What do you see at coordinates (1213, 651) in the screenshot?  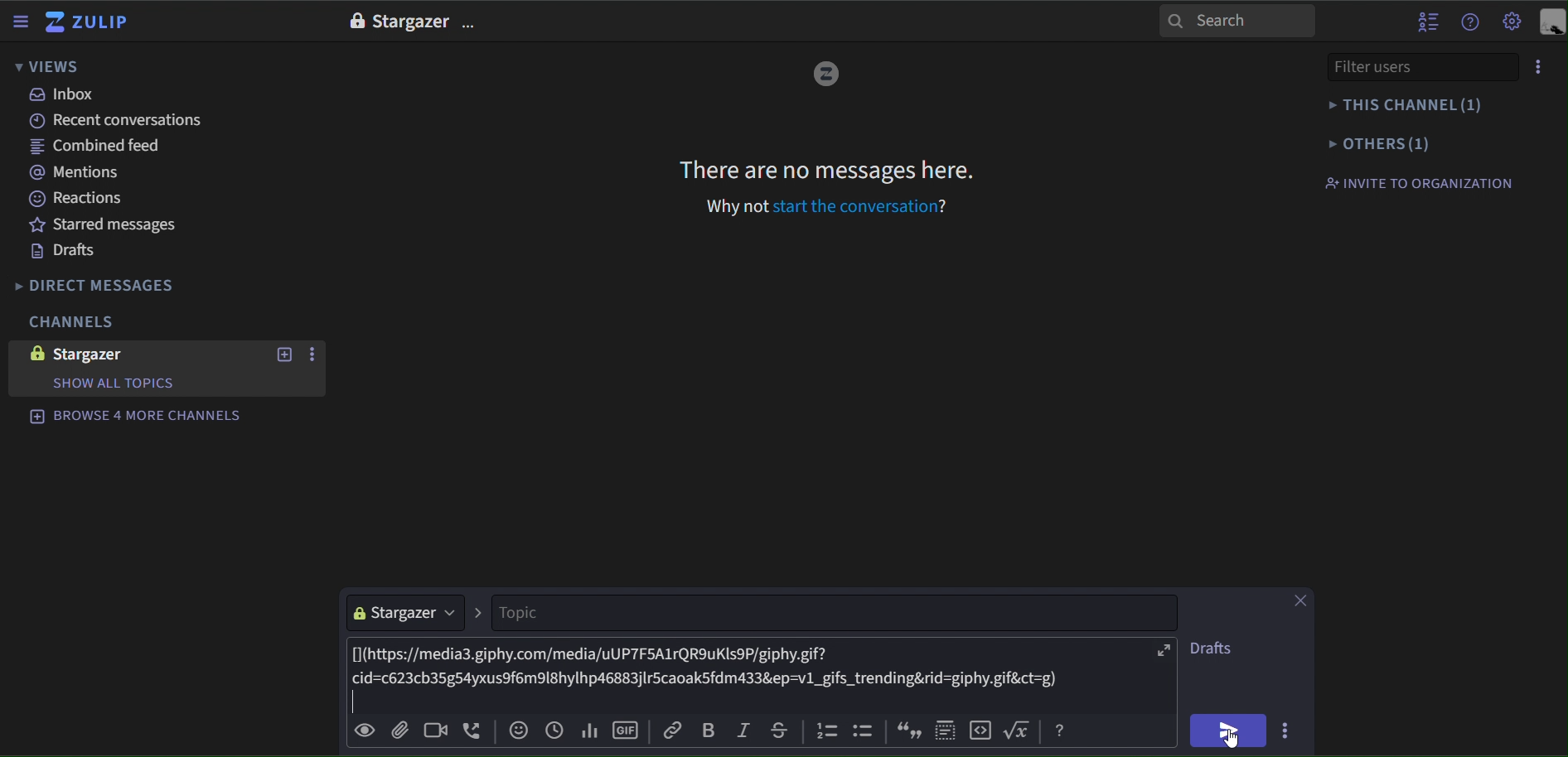 I see `drafts` at bounding box center [1213, 651].